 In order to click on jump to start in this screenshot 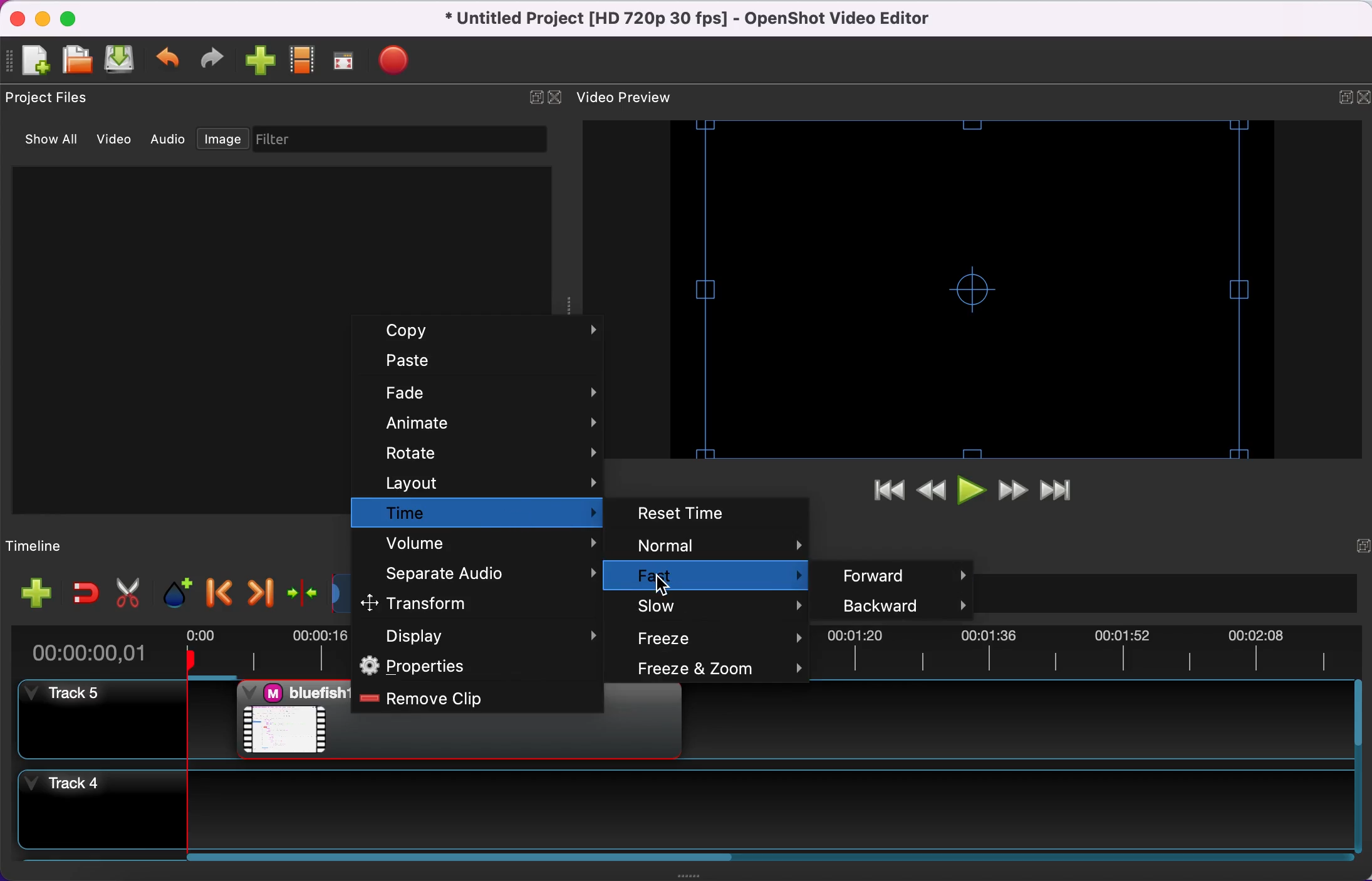, I will do `click(885, 493)`.